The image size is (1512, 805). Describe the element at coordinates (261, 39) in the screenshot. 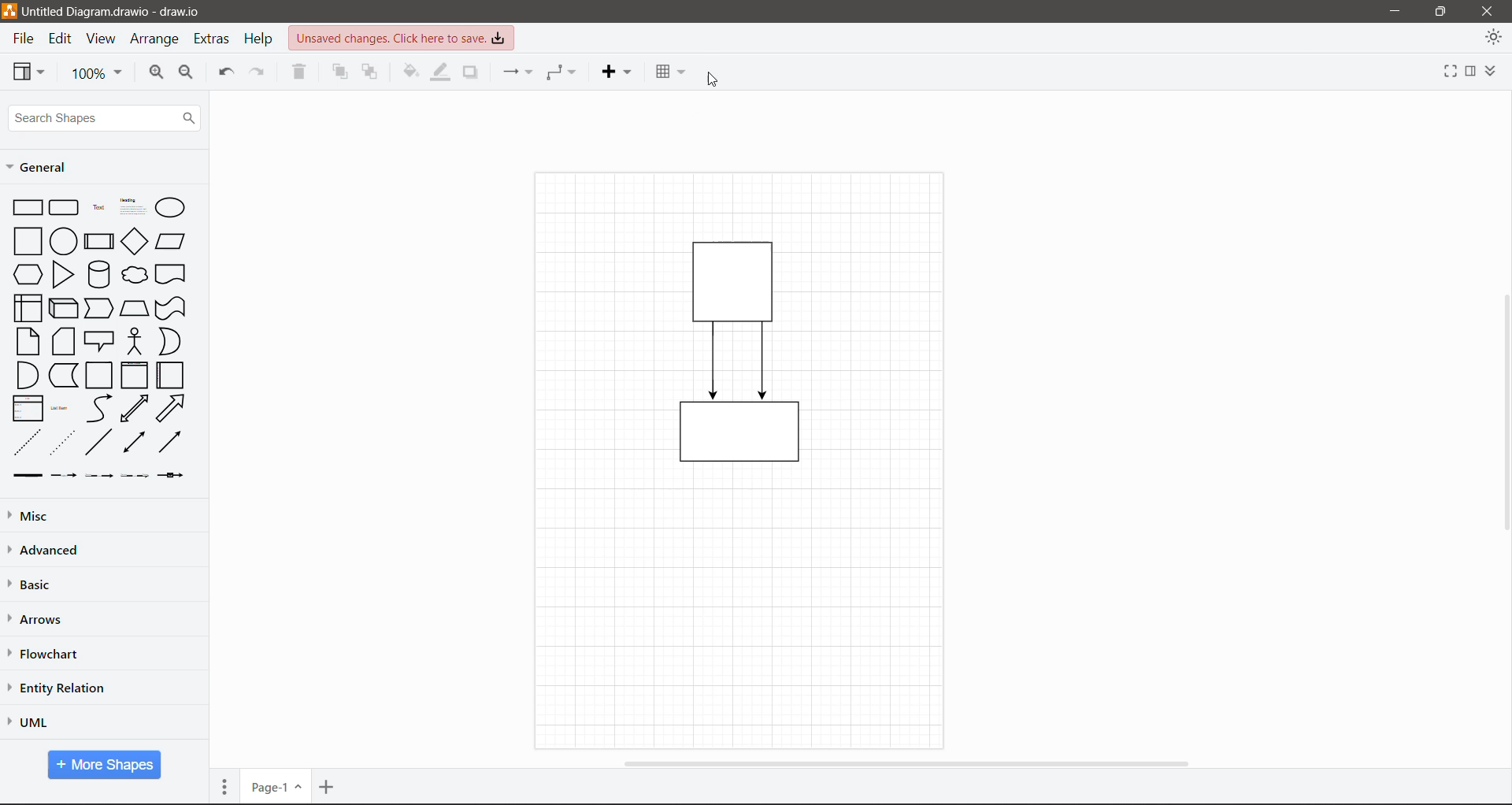

I see `Help` at that location.